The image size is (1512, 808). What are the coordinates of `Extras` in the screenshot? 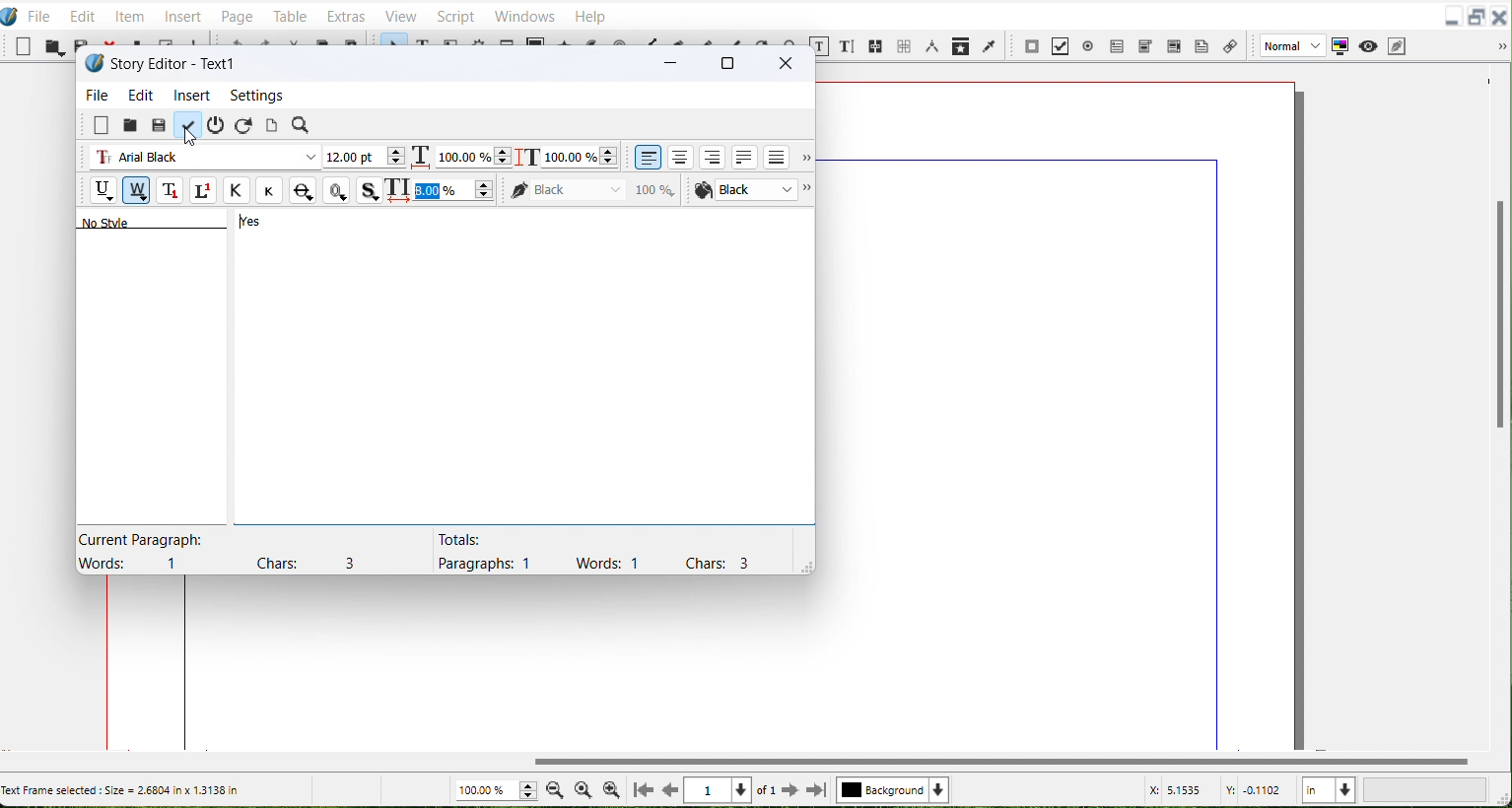 It's located at (346, 15).